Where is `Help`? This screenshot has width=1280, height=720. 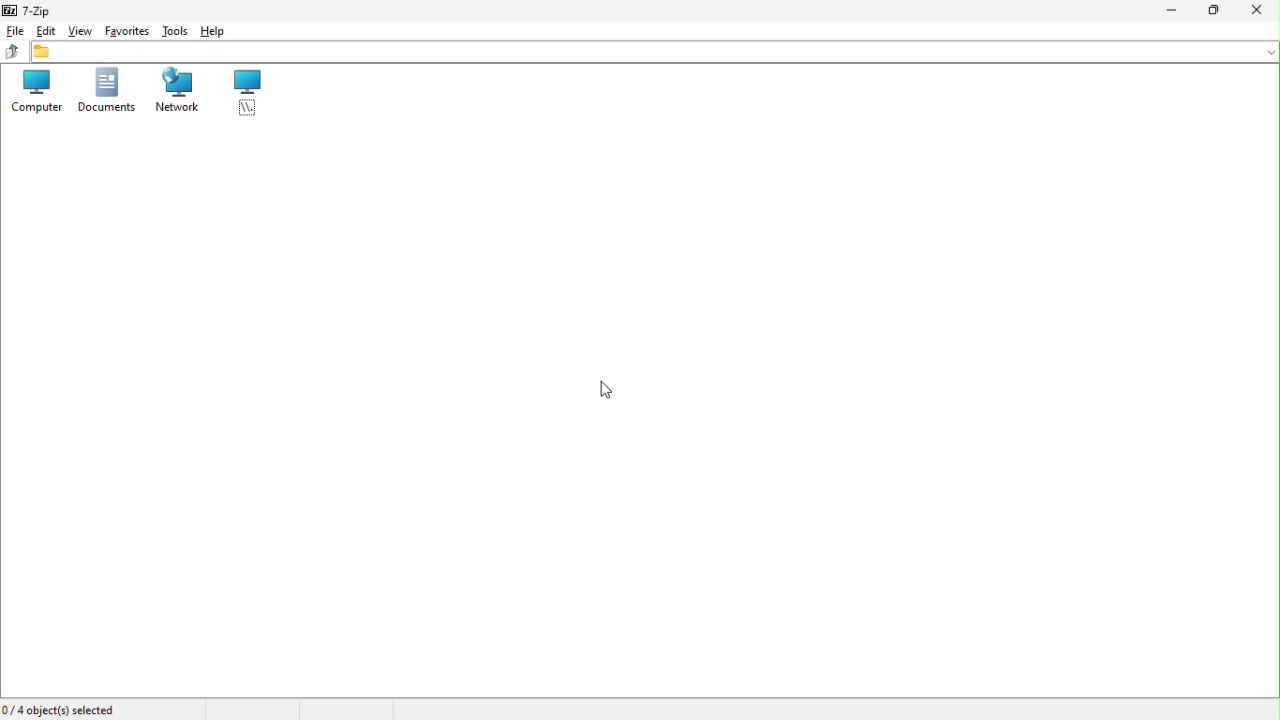 Help is located at coordinates (221, 29).